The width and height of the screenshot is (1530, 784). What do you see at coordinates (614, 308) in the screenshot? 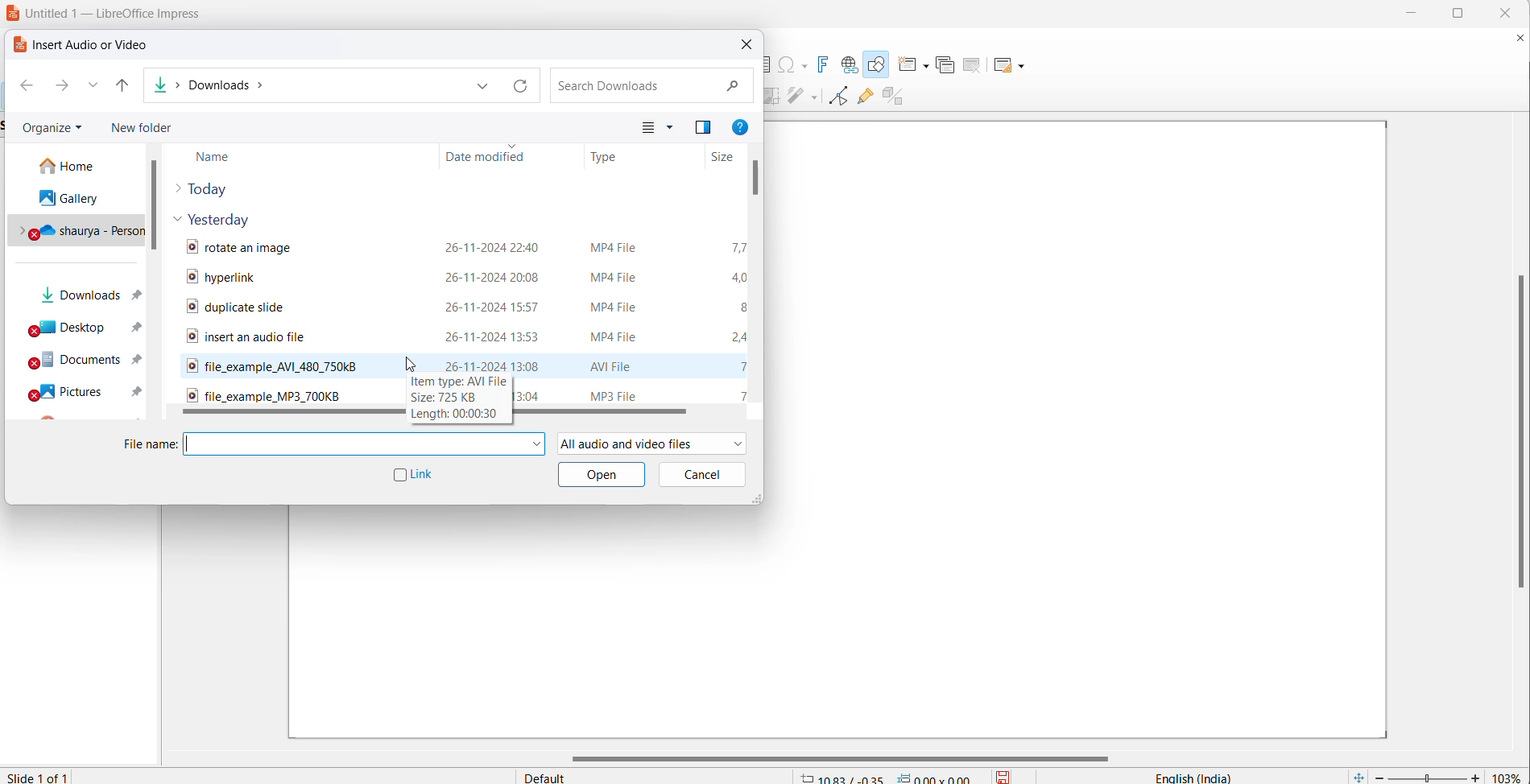
I see `video file format` at bounding box center [614, 308].